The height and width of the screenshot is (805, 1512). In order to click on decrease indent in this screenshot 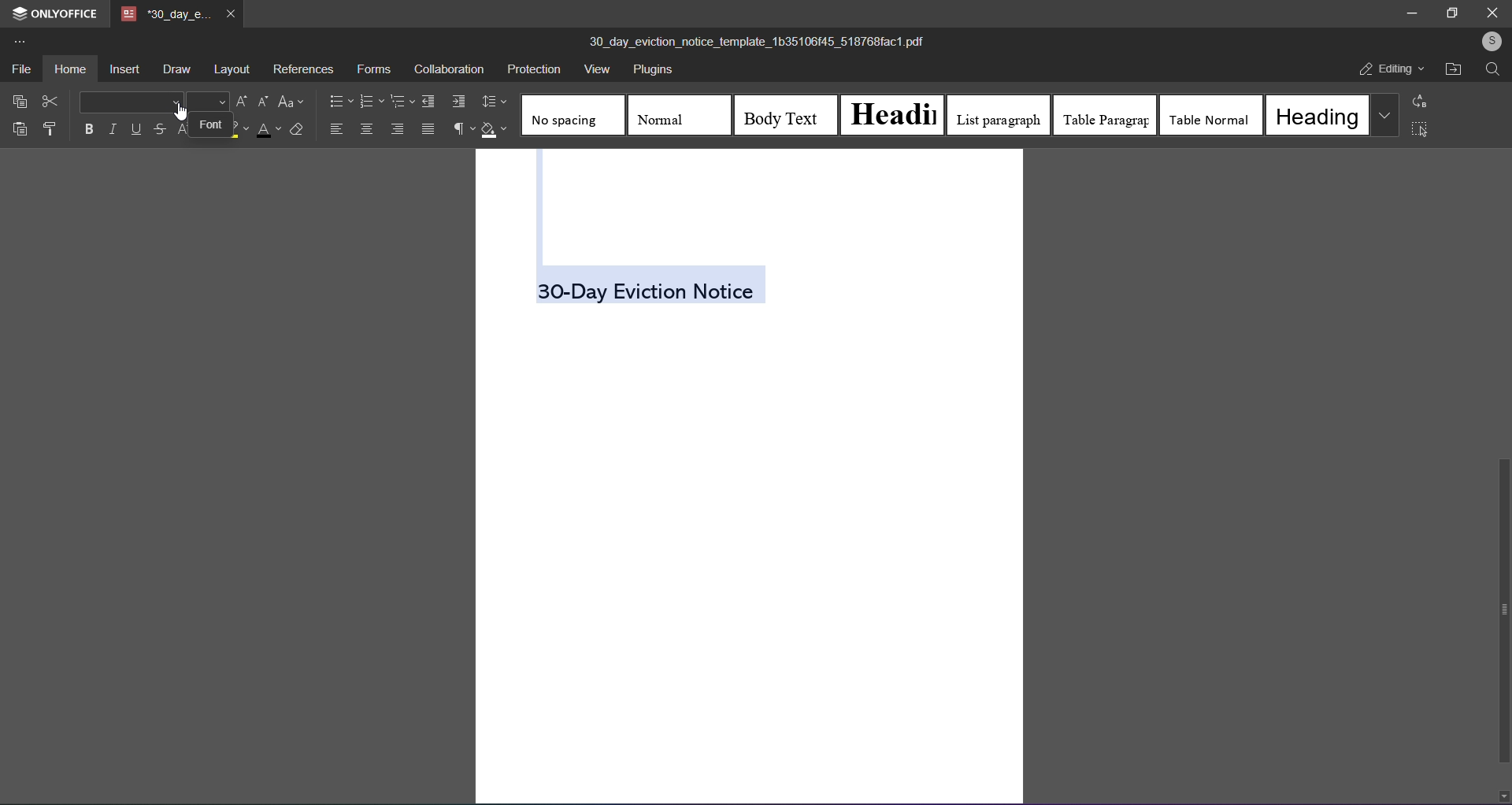, I will do `click(428, 101)`.